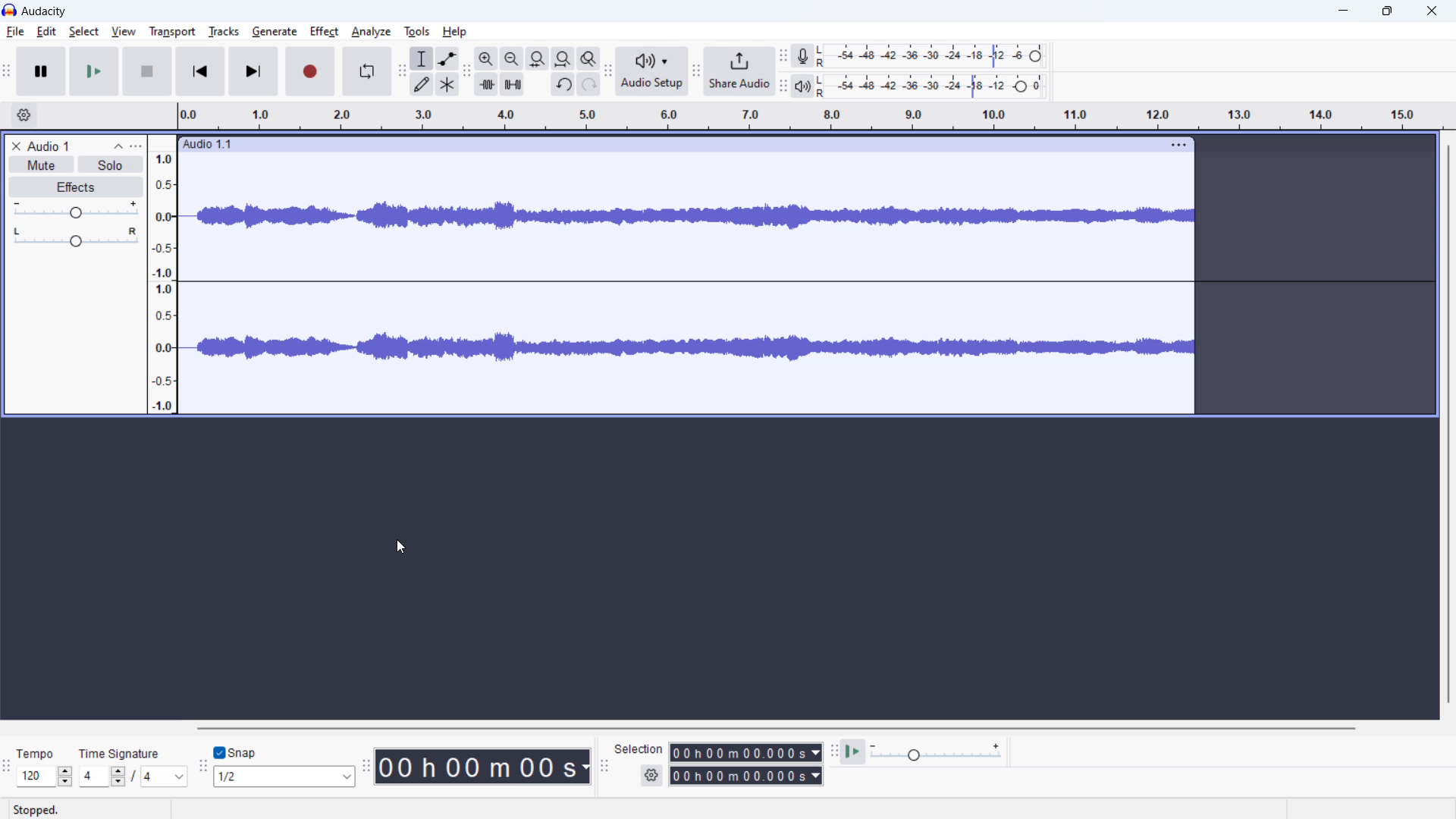 This screenshot has width=1456, height=819. Describe the element at coordinates (937, 753) in the screenshot. I see `playback speed` at that location.